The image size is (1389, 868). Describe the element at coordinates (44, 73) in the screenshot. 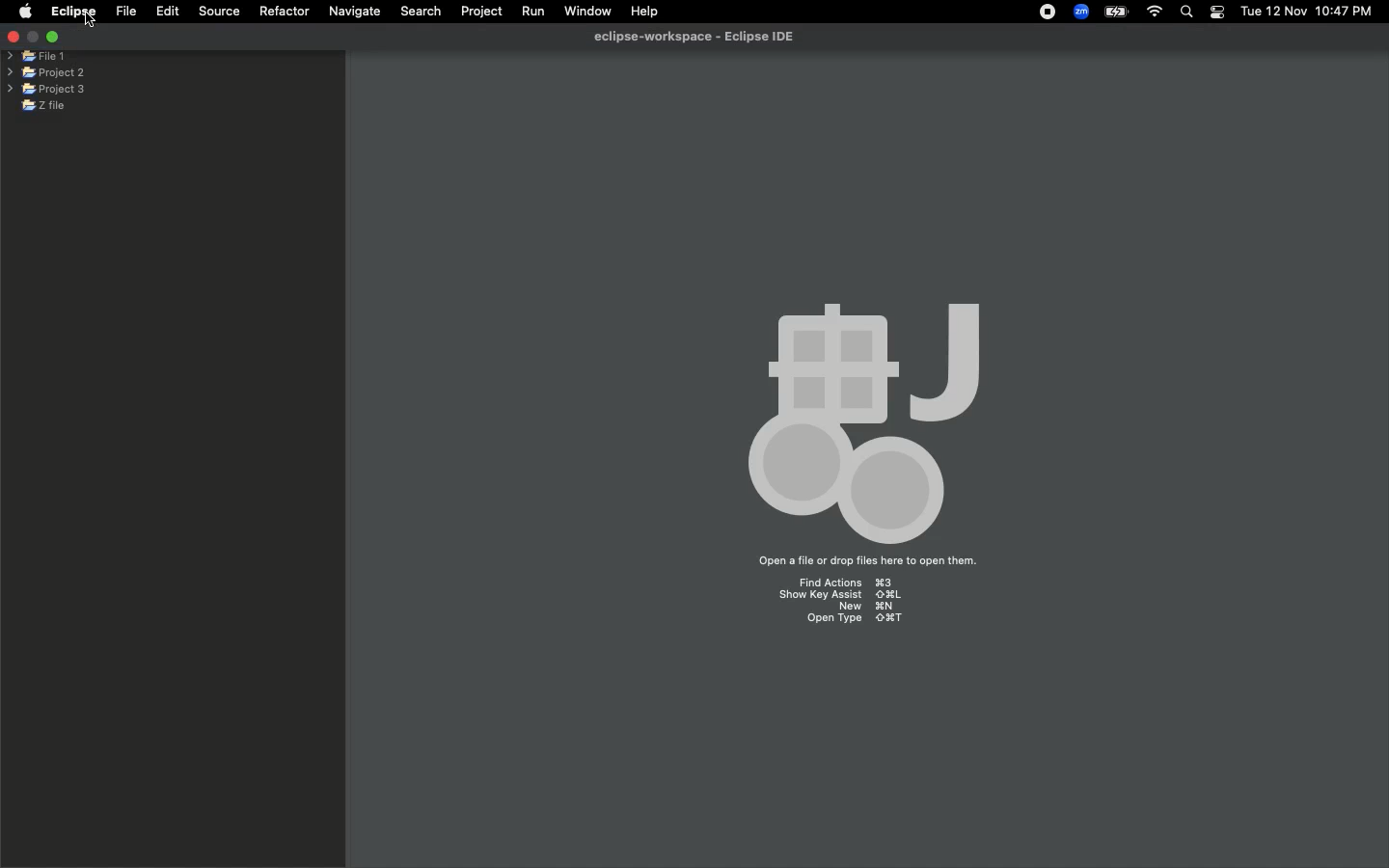

I see `Project 2` at that location.